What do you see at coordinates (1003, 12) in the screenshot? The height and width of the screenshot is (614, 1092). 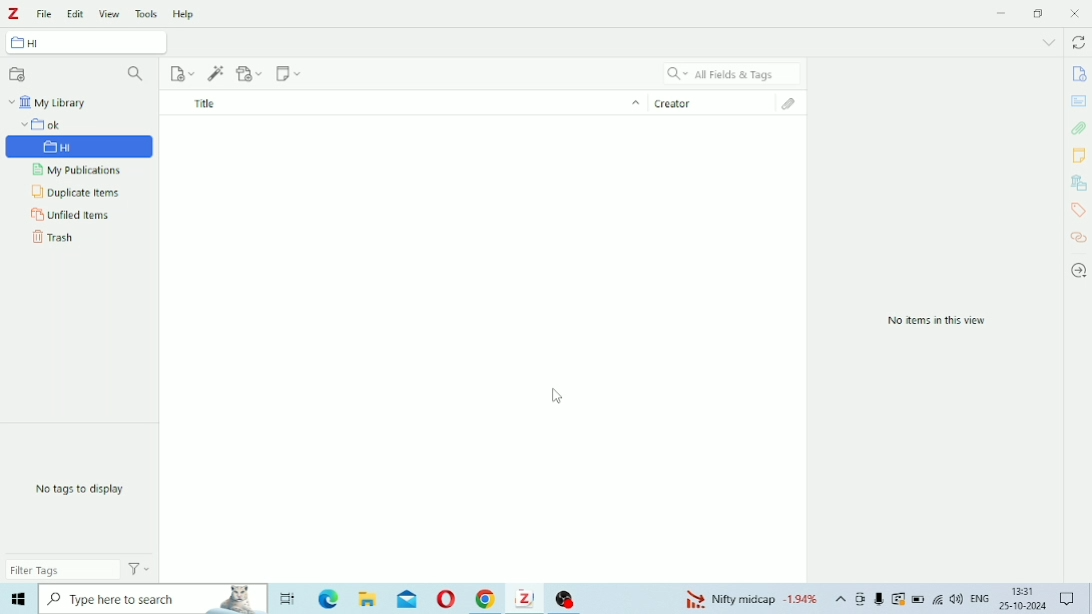 I see `Minimize` at bounding box center [1003, 12].